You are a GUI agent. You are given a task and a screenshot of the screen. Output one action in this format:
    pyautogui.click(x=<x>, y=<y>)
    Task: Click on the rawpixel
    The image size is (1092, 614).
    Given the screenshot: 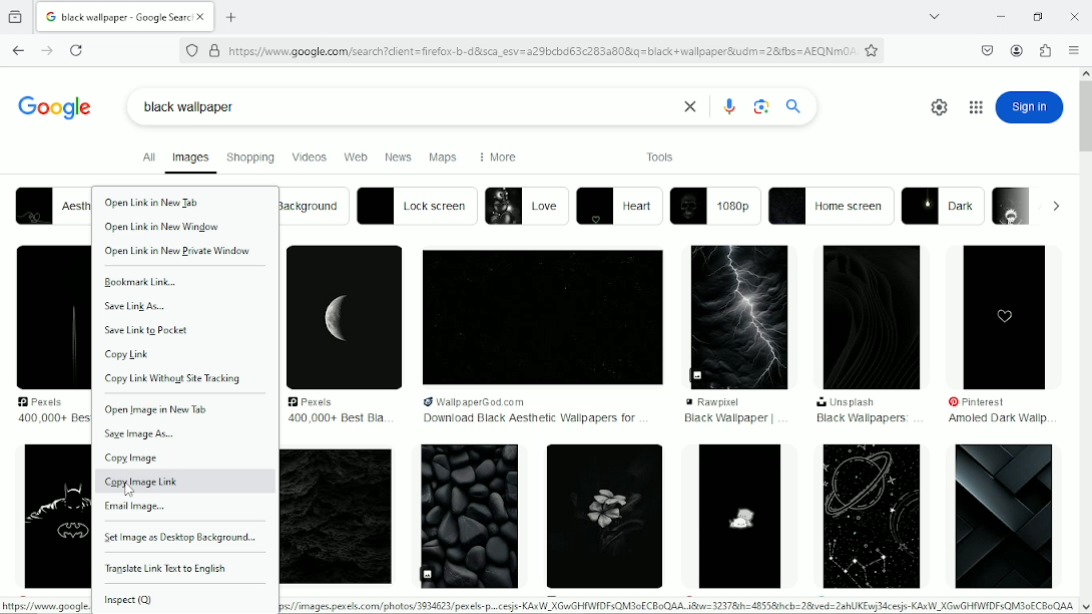 What is the action you would take?
    pyautogui.click(x=733, y=402)
    